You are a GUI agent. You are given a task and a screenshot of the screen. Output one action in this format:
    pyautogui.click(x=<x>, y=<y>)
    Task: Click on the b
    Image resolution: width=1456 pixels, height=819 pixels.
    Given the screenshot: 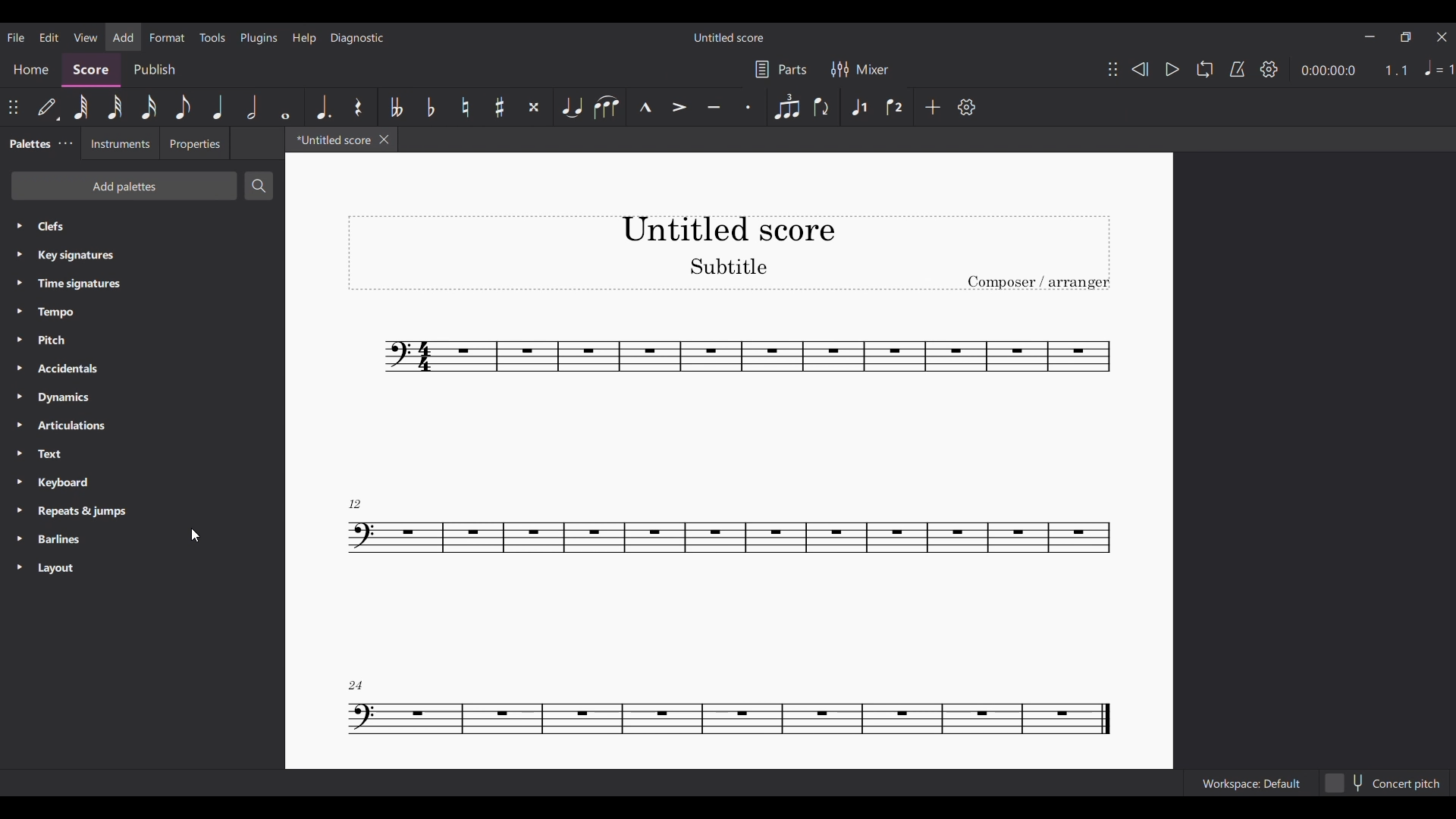 What is the action you would take?
    pyautogui.click(x=435, y=105)
    